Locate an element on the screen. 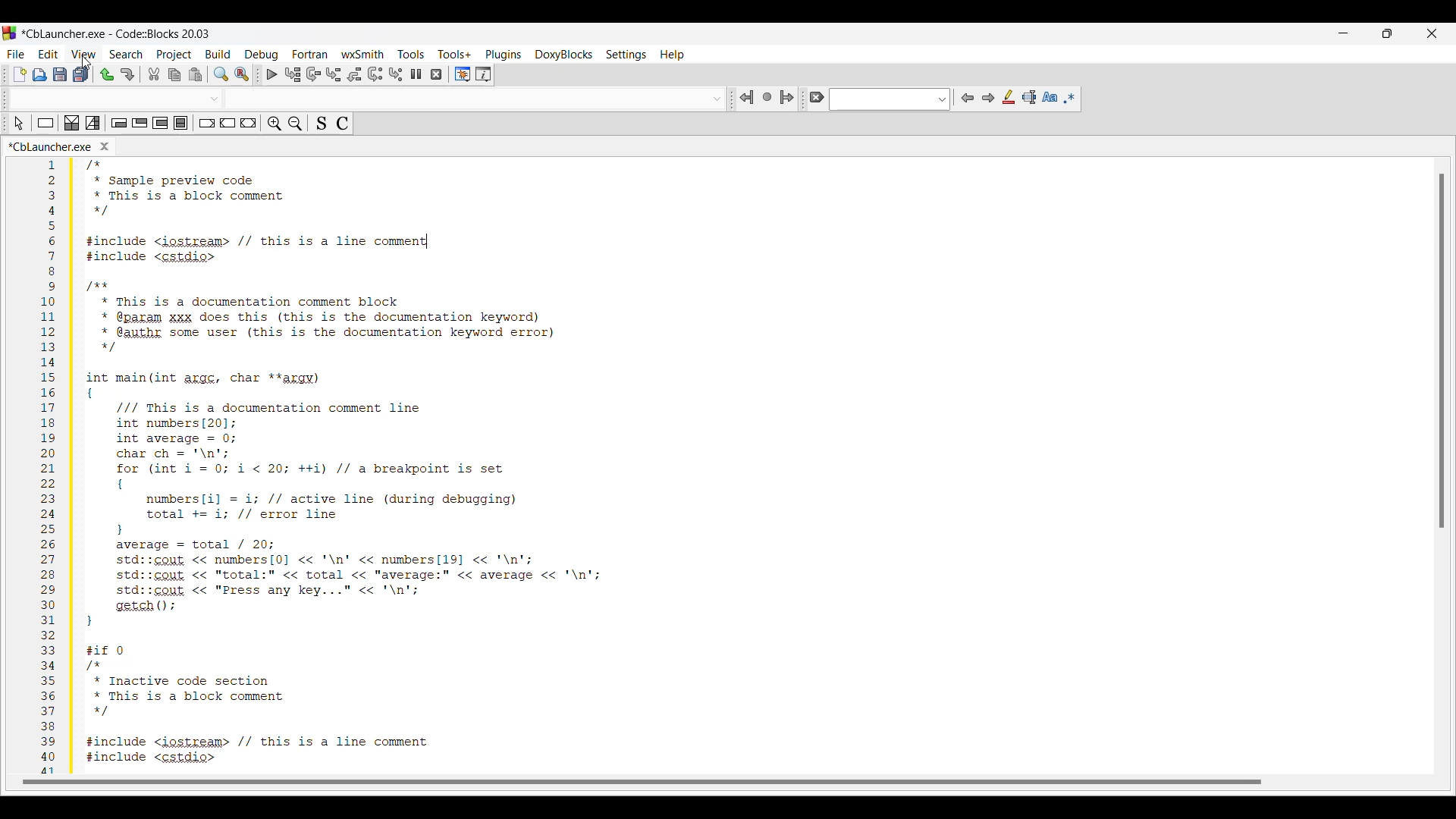 Image resolution: width=1456 pixels, height=819 pixels. wxSmith menu is located at coordinates (363, 54).